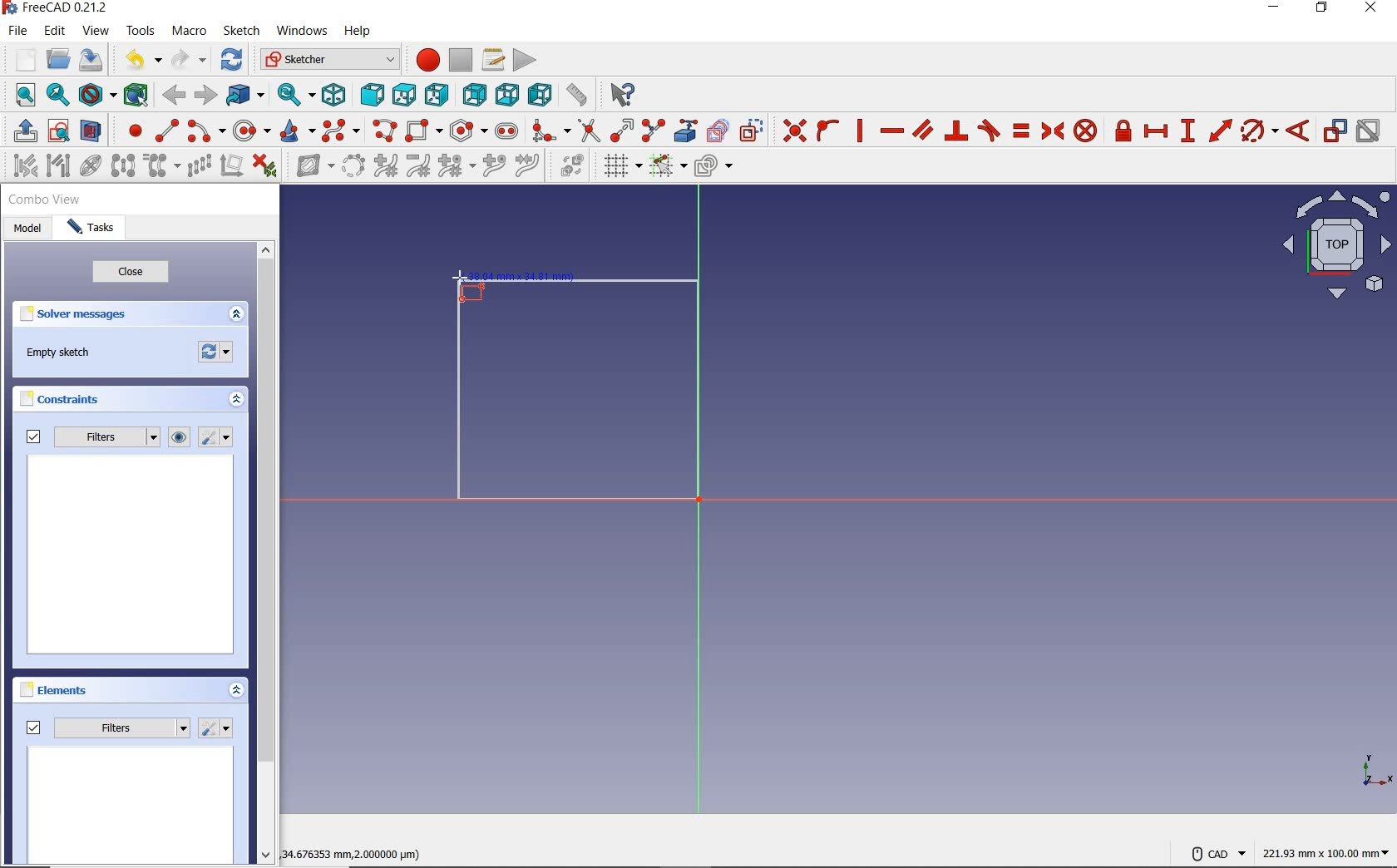 The height and width of the screenshot is (868, 1397). I want to click on windows, so click(302, 32).